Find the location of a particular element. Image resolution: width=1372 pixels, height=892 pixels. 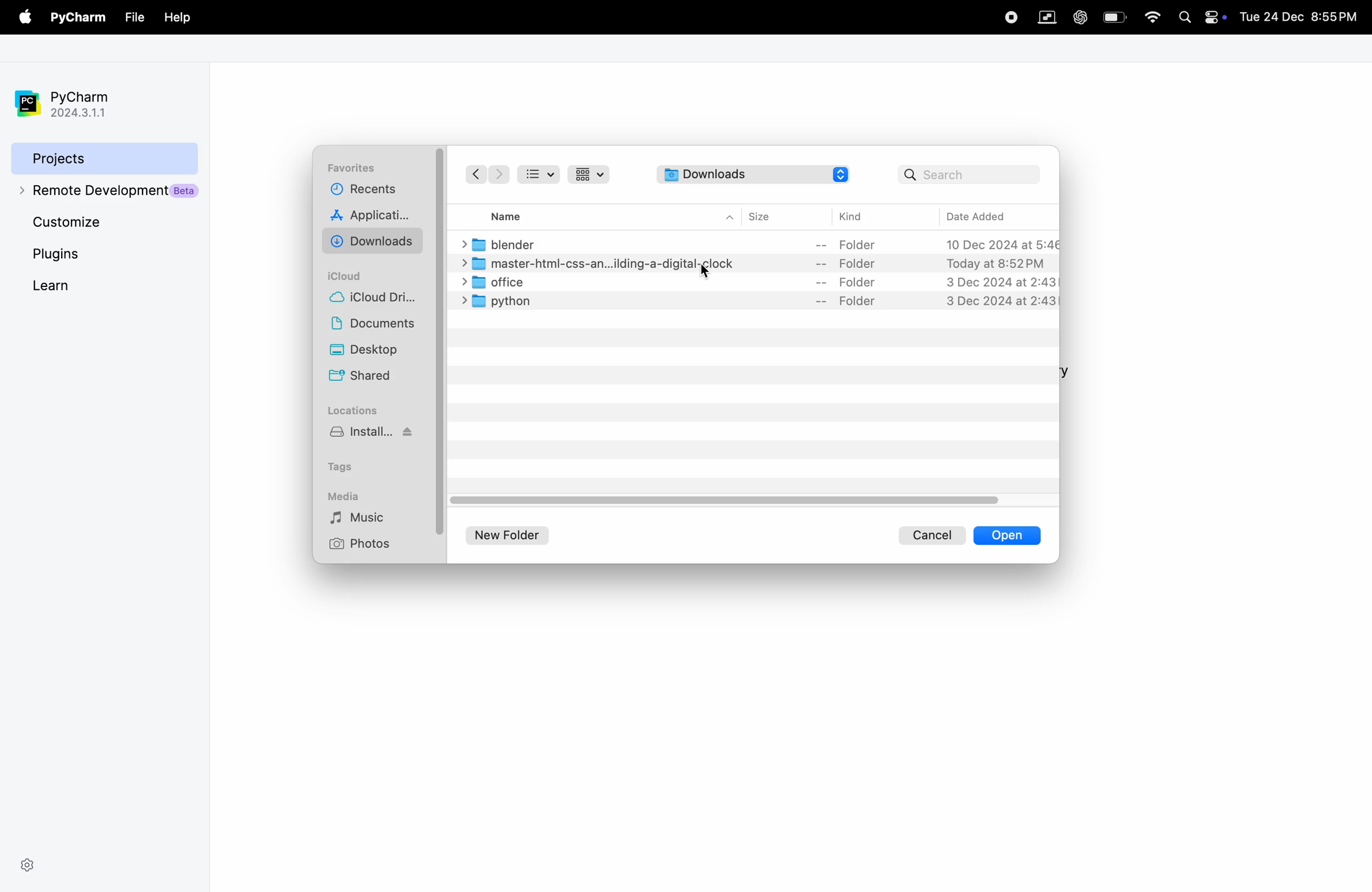

name is located at coordinates (517, 215).